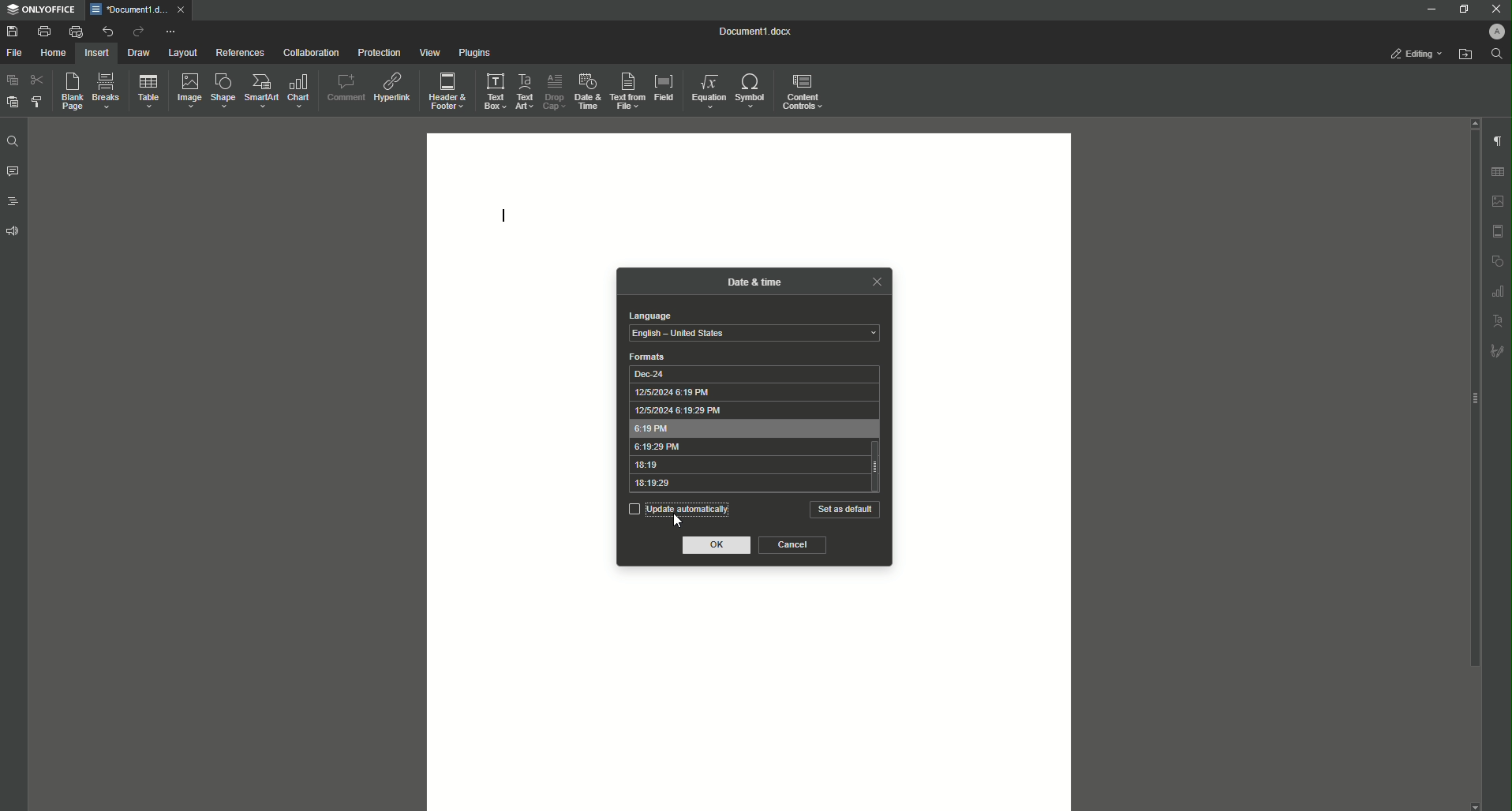 This screenshot has width=1512, height=811. Describe the element at coordinates (391, 84) in the screenshot. I see `Hyperlink` at that location.